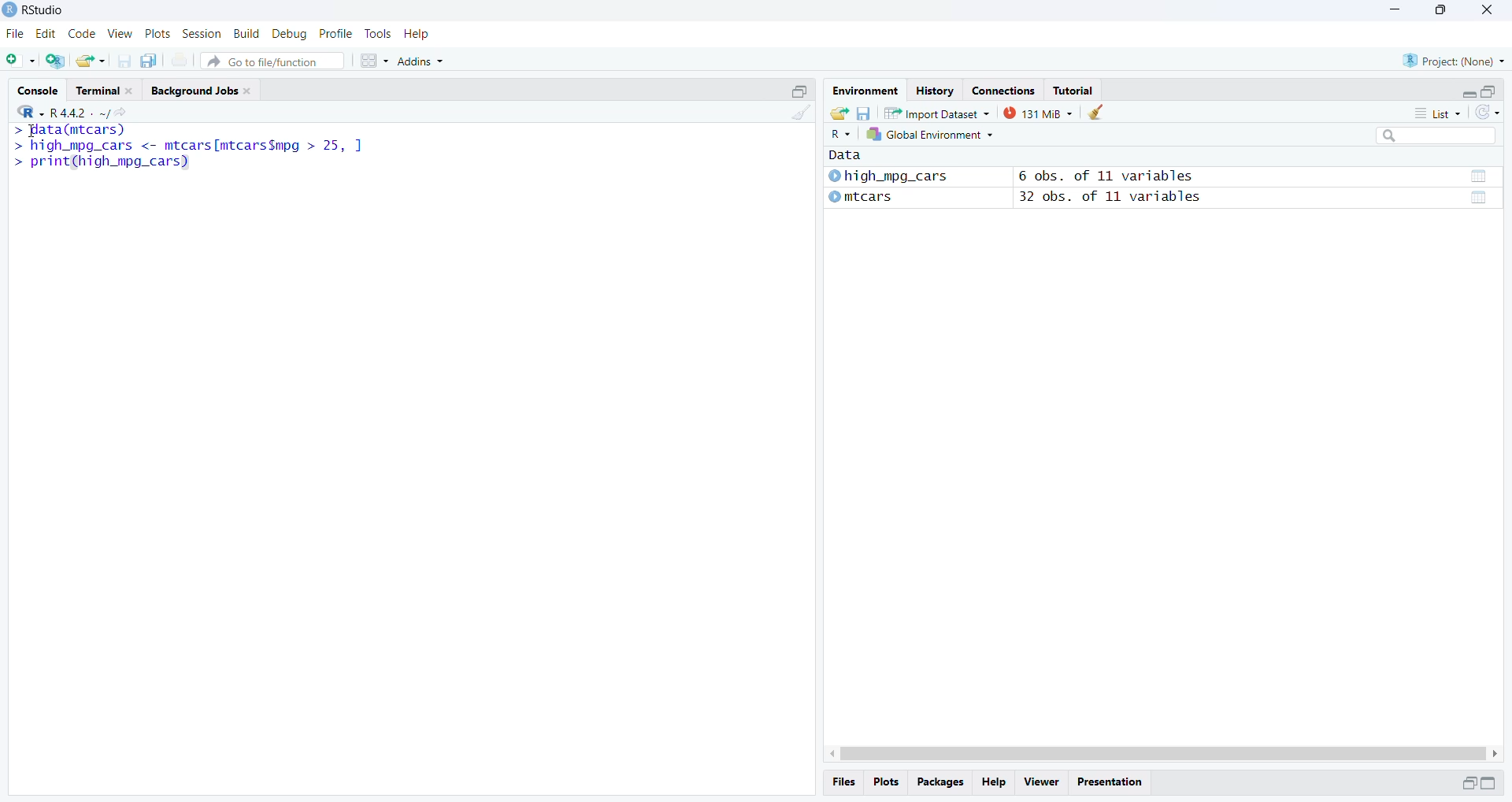 Image resolution: width=1512 pixels, height=802 pixels. What do you see at coordinates (1396, 9) in the screenshot?
I see `minimize` at bounding box center [1396, 9].